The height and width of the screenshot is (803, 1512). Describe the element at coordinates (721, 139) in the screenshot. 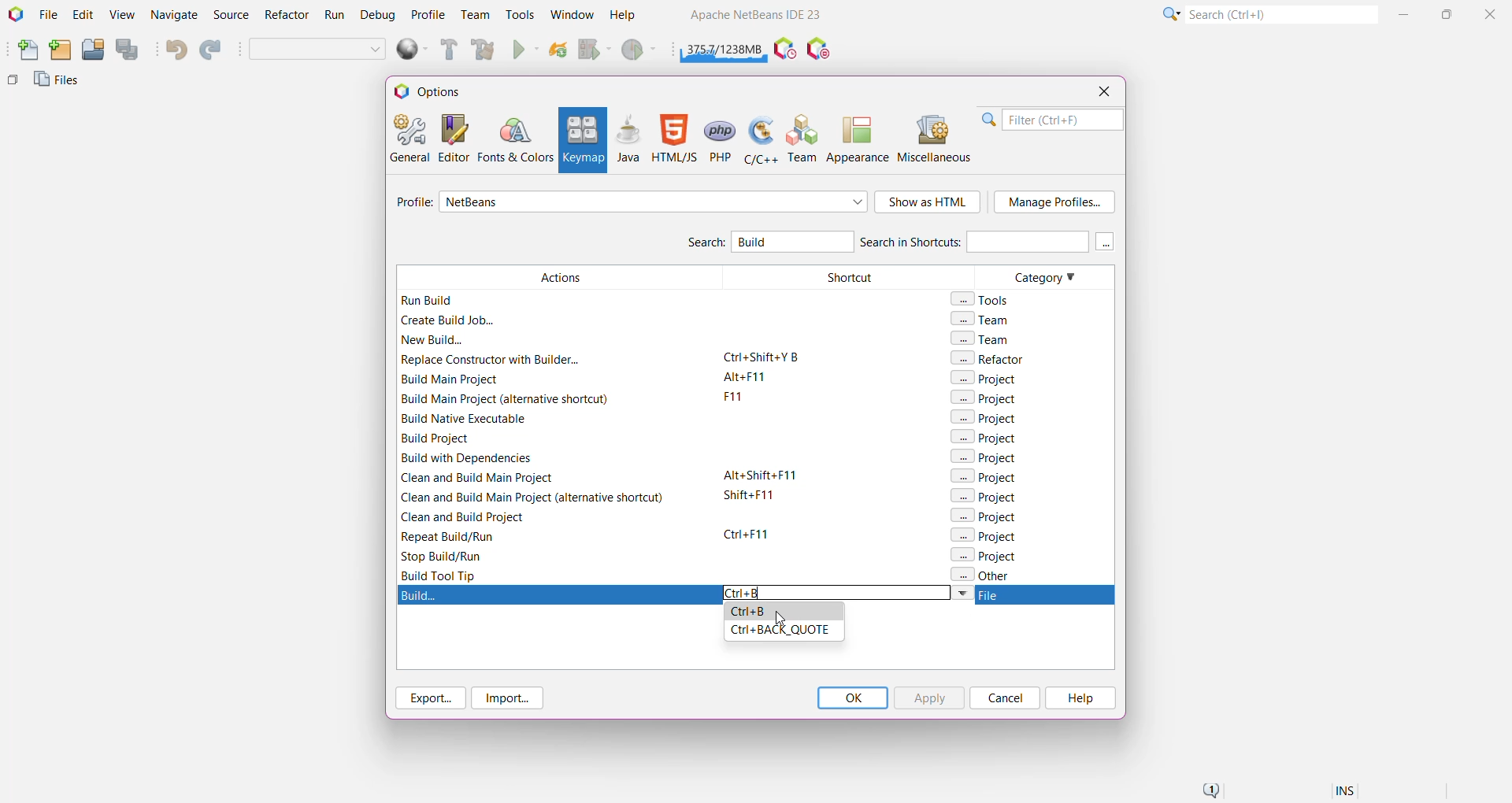

I see `PHP` at that location.